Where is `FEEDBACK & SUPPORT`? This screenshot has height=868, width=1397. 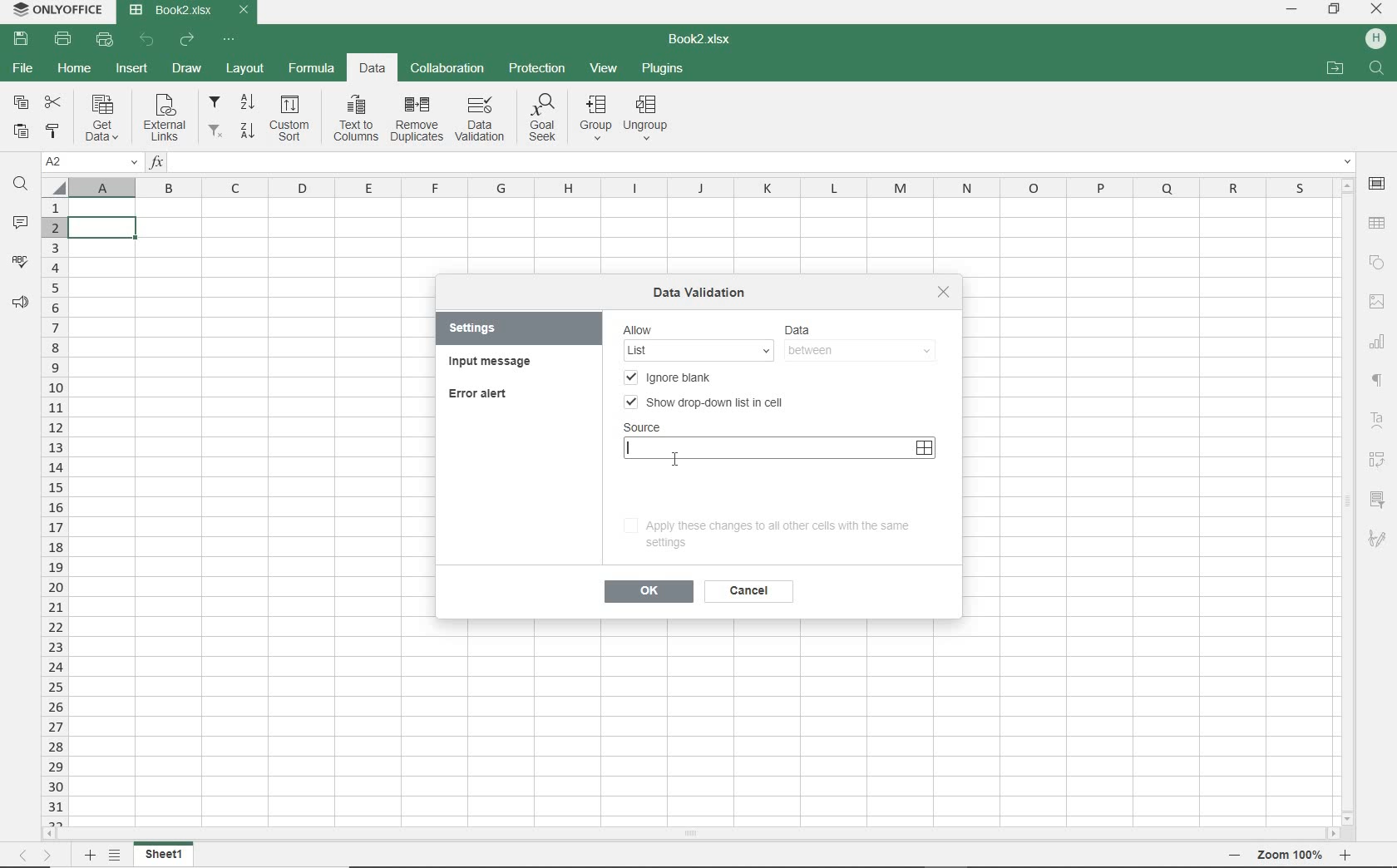
FEEDBACK & SUPPORT is located at coordinates (21, 303).